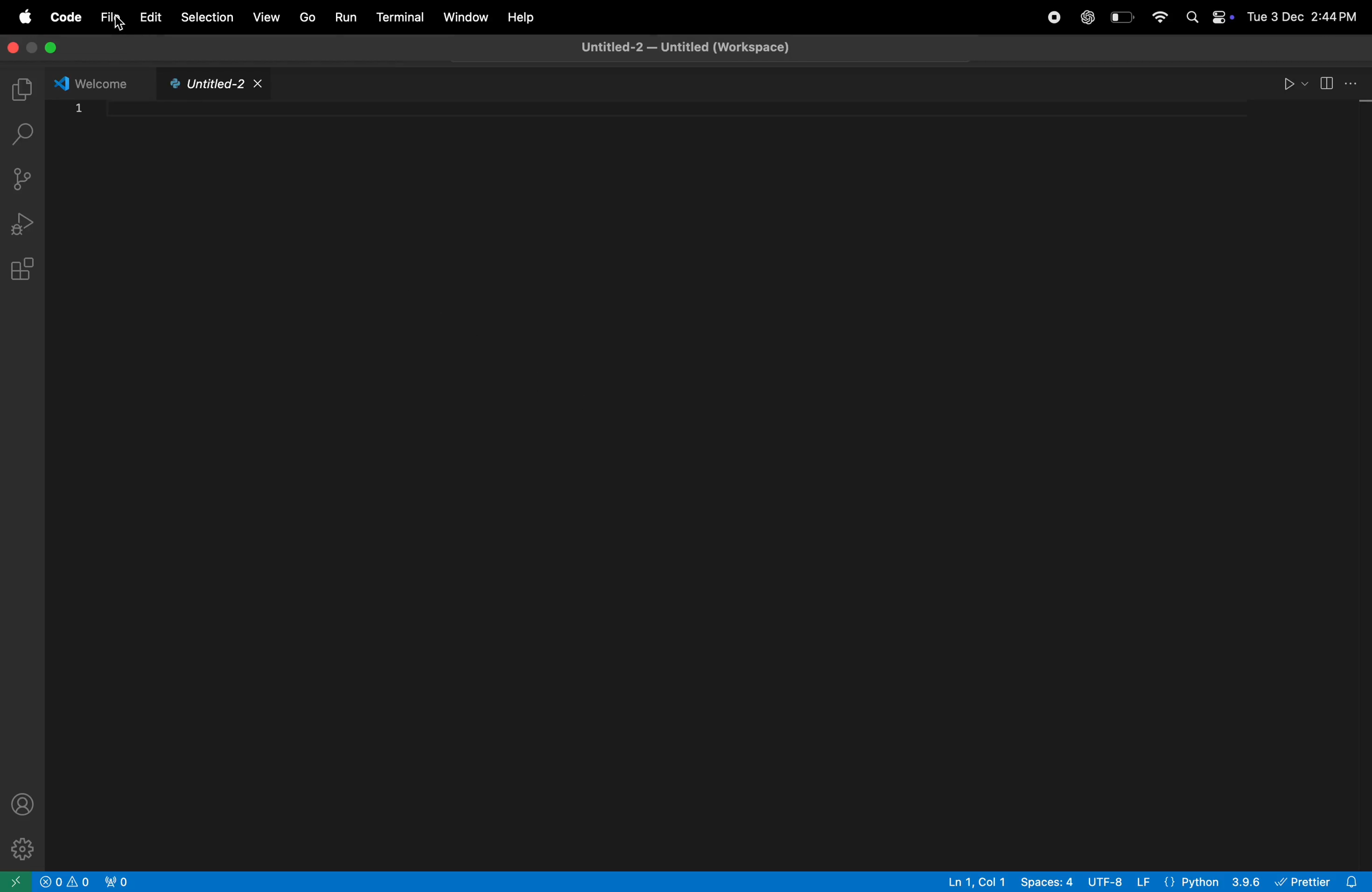  Describe the element at coordinates (24, 177) in the screenshot. I see `source control` at that location.